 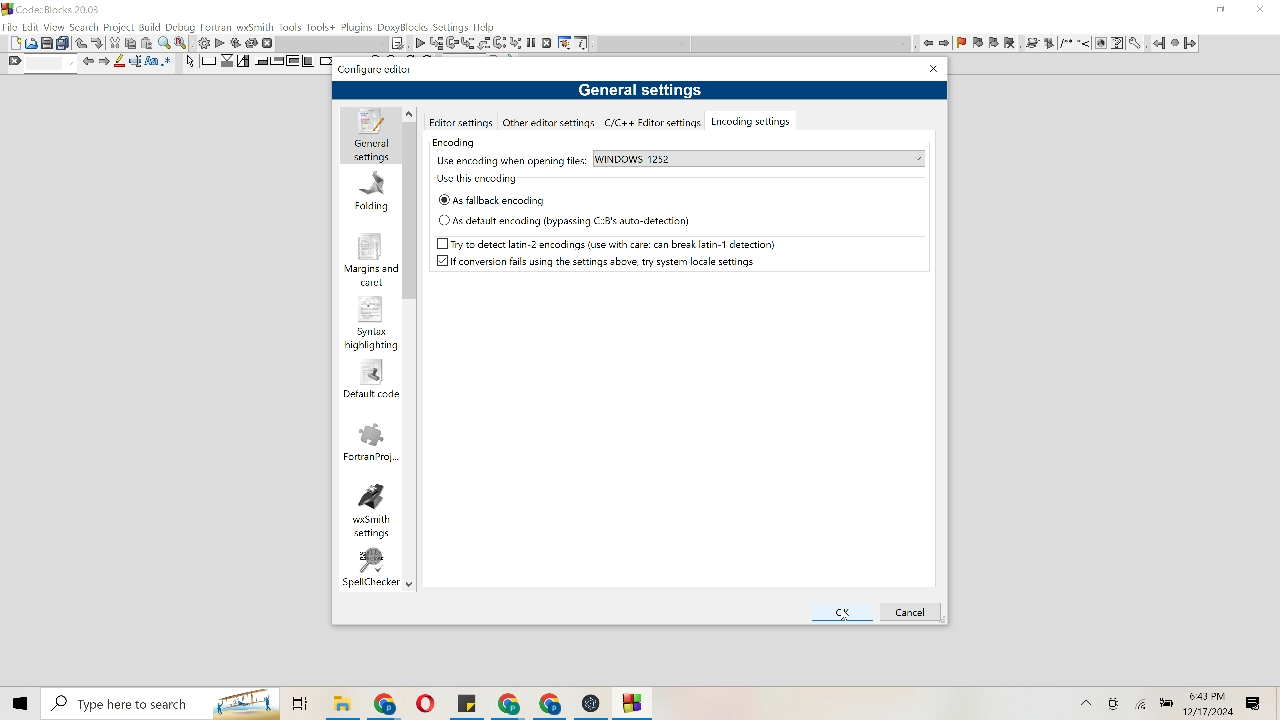 What do you see at coordinates (583, 44) in the screenshot?
I see `Information` at bounding box center [583, 44].